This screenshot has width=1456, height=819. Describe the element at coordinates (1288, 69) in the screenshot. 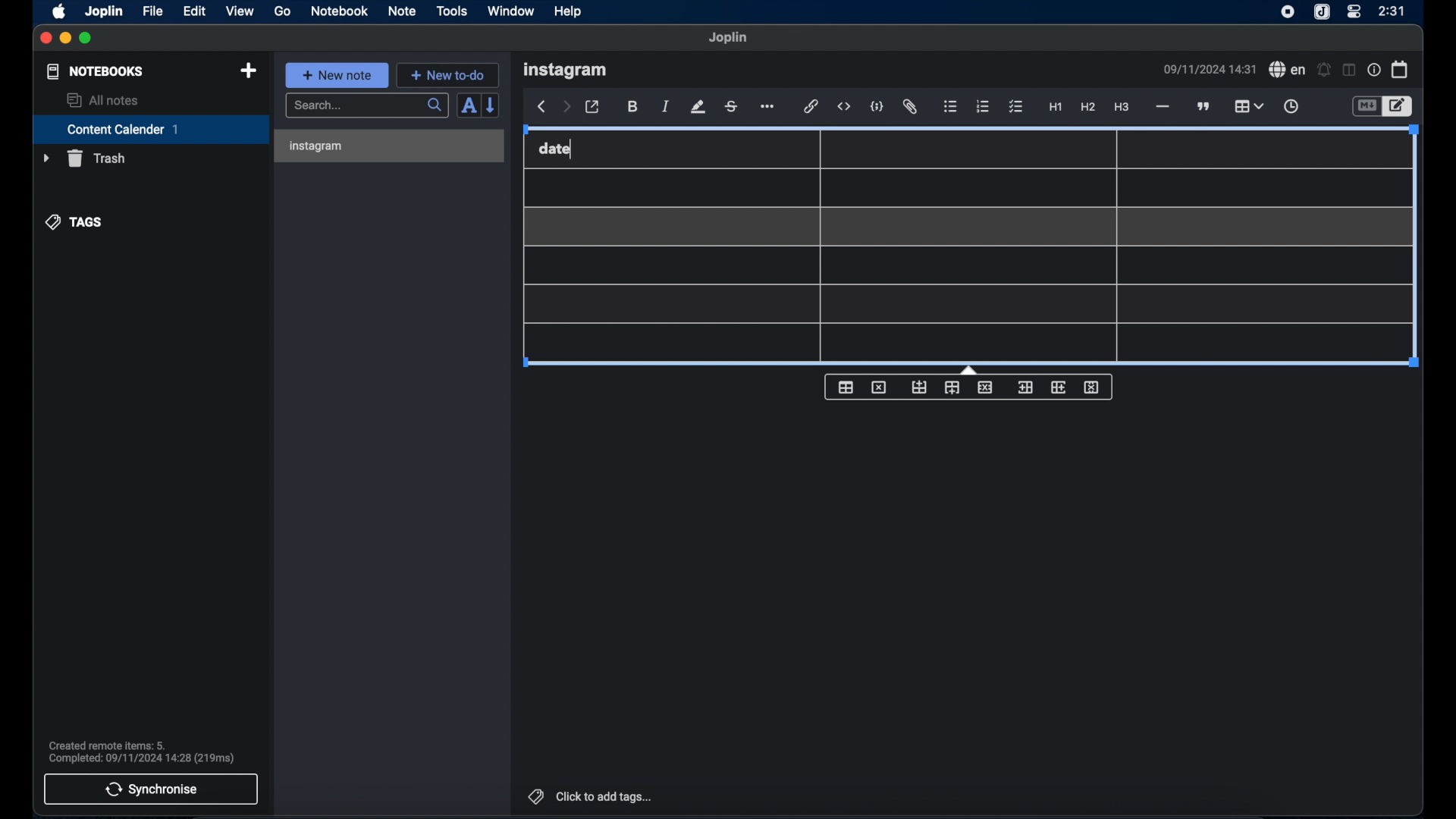

I see `spell check` at that location.